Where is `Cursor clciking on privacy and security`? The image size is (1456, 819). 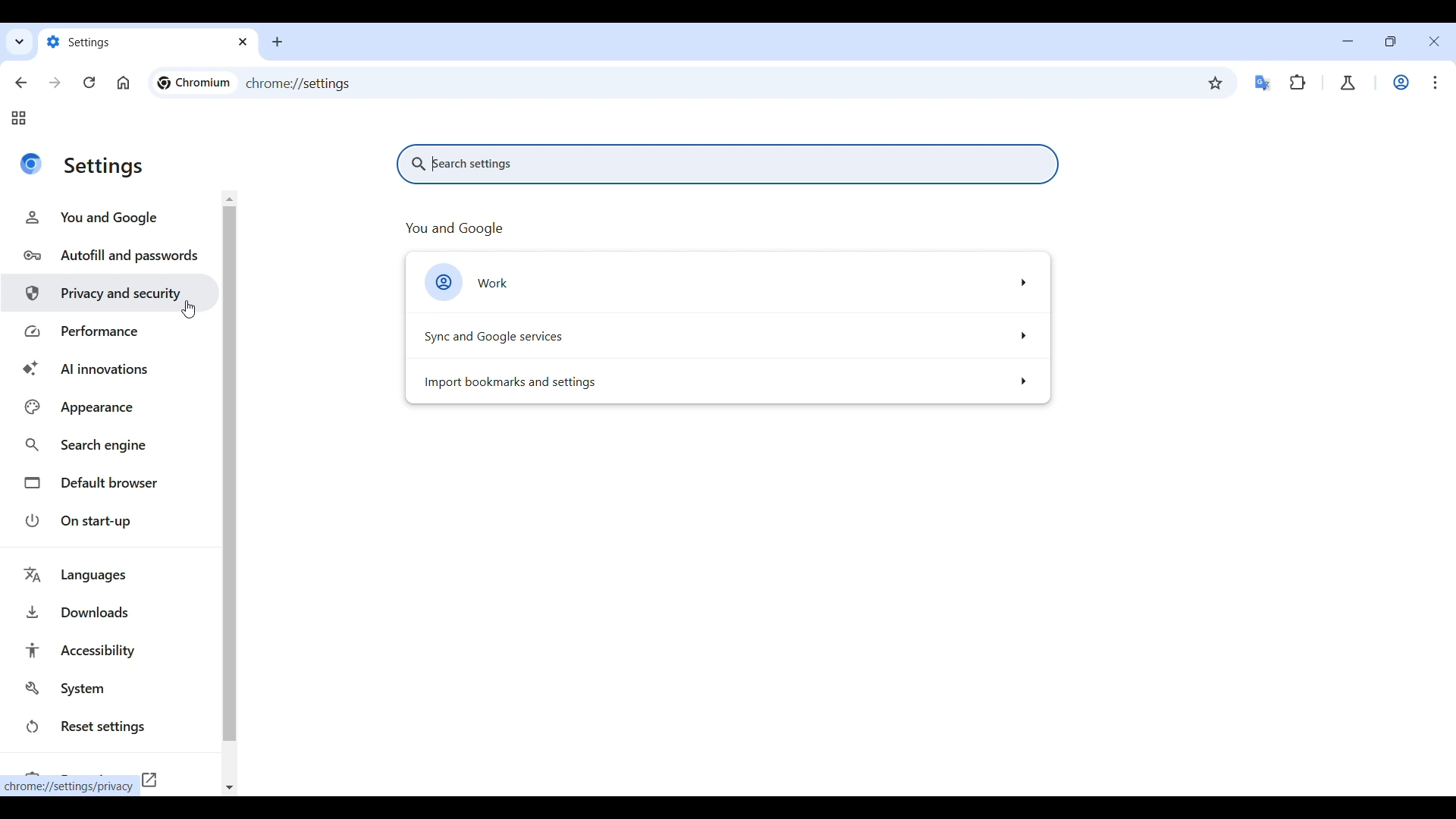 Cursor clciking on privacy and security is located at coordinates (189, 312).